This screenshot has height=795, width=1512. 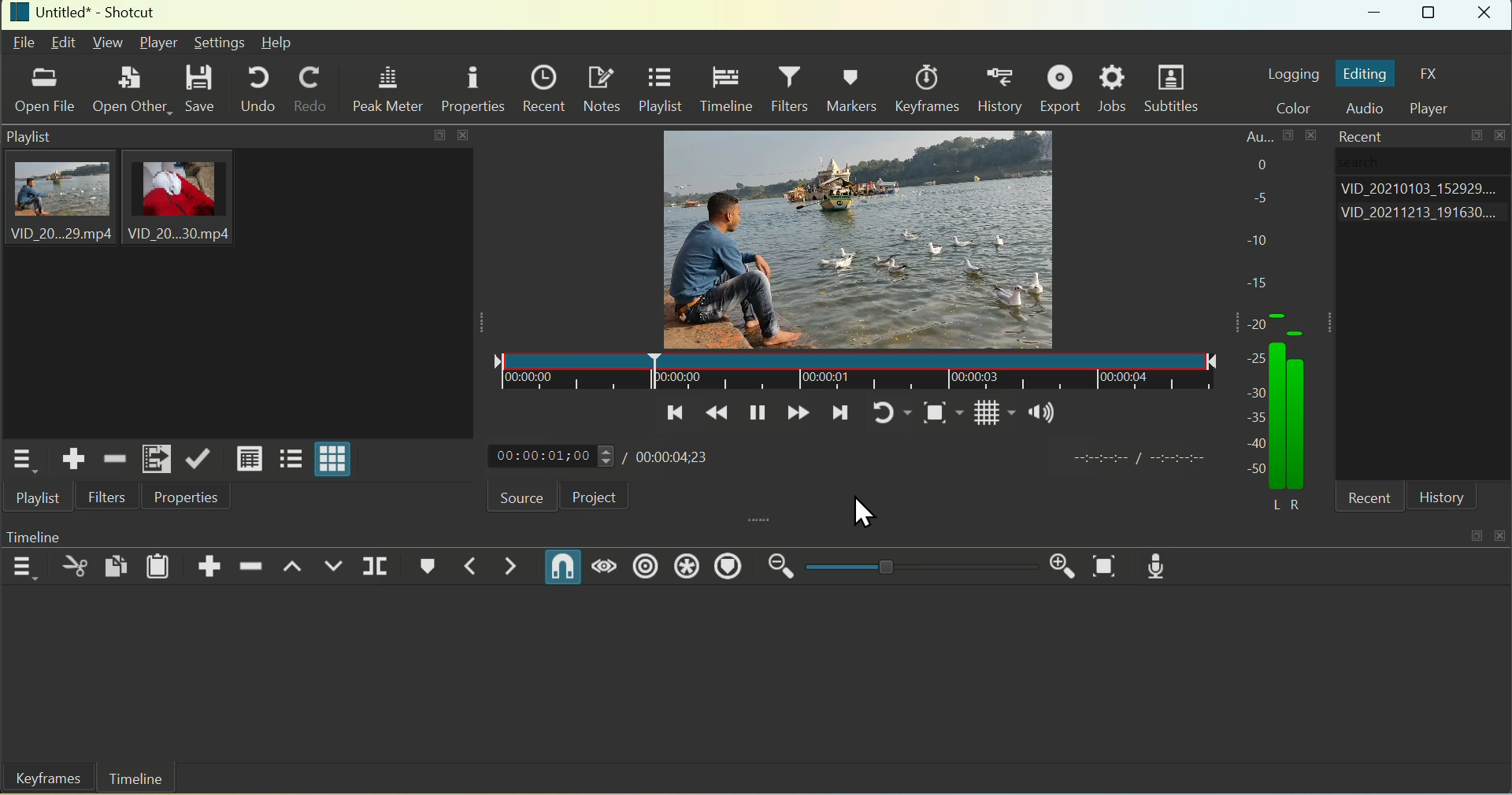 What do you see at coordinates (1431, 15) in the screenshot?
I see `Maximize` at bounding box center [1431, 15].